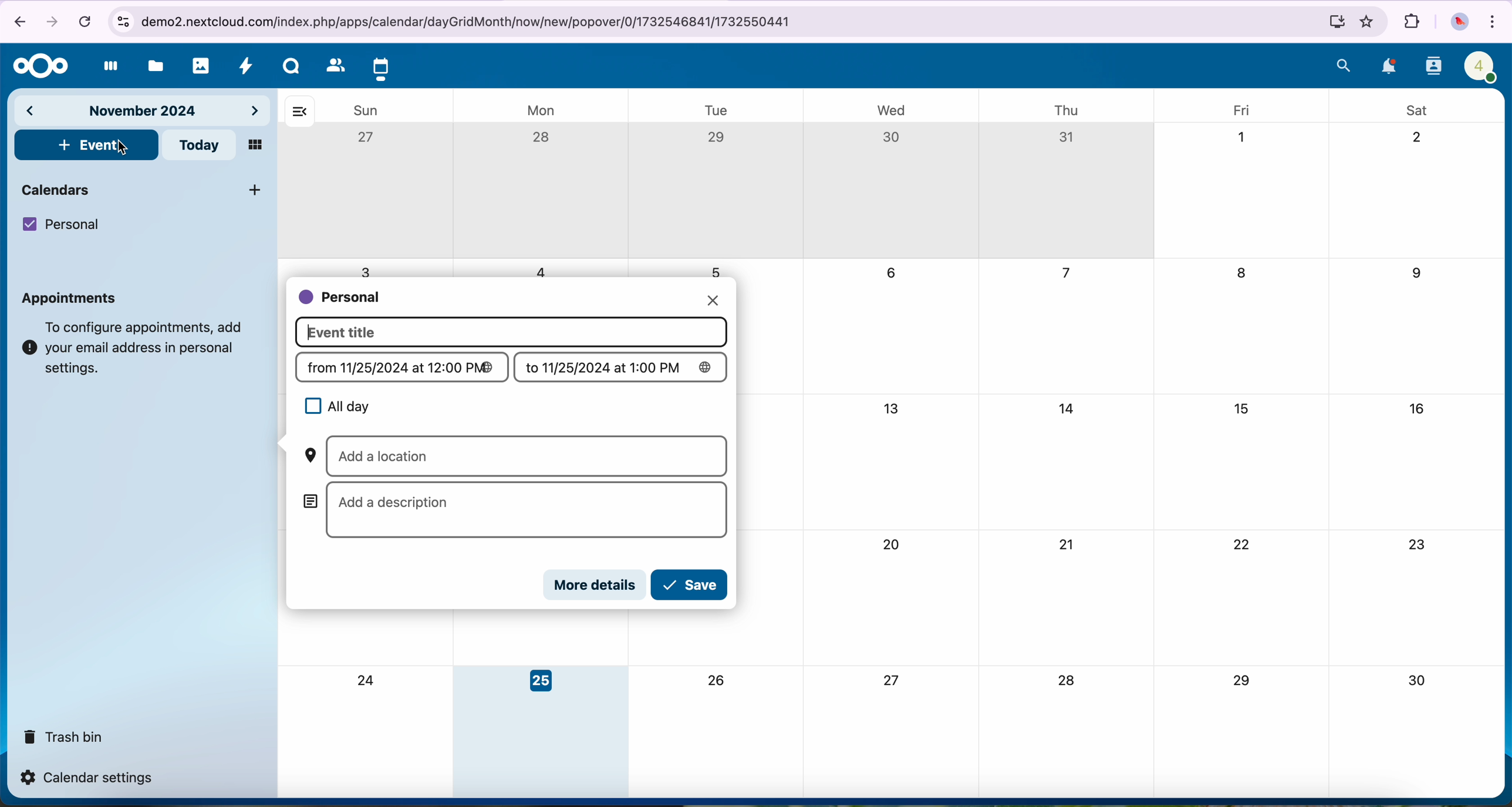  What do you see at coordinates (61, 735) in the screenshot?
I see `trash bin` at bounding box center [61, 735].